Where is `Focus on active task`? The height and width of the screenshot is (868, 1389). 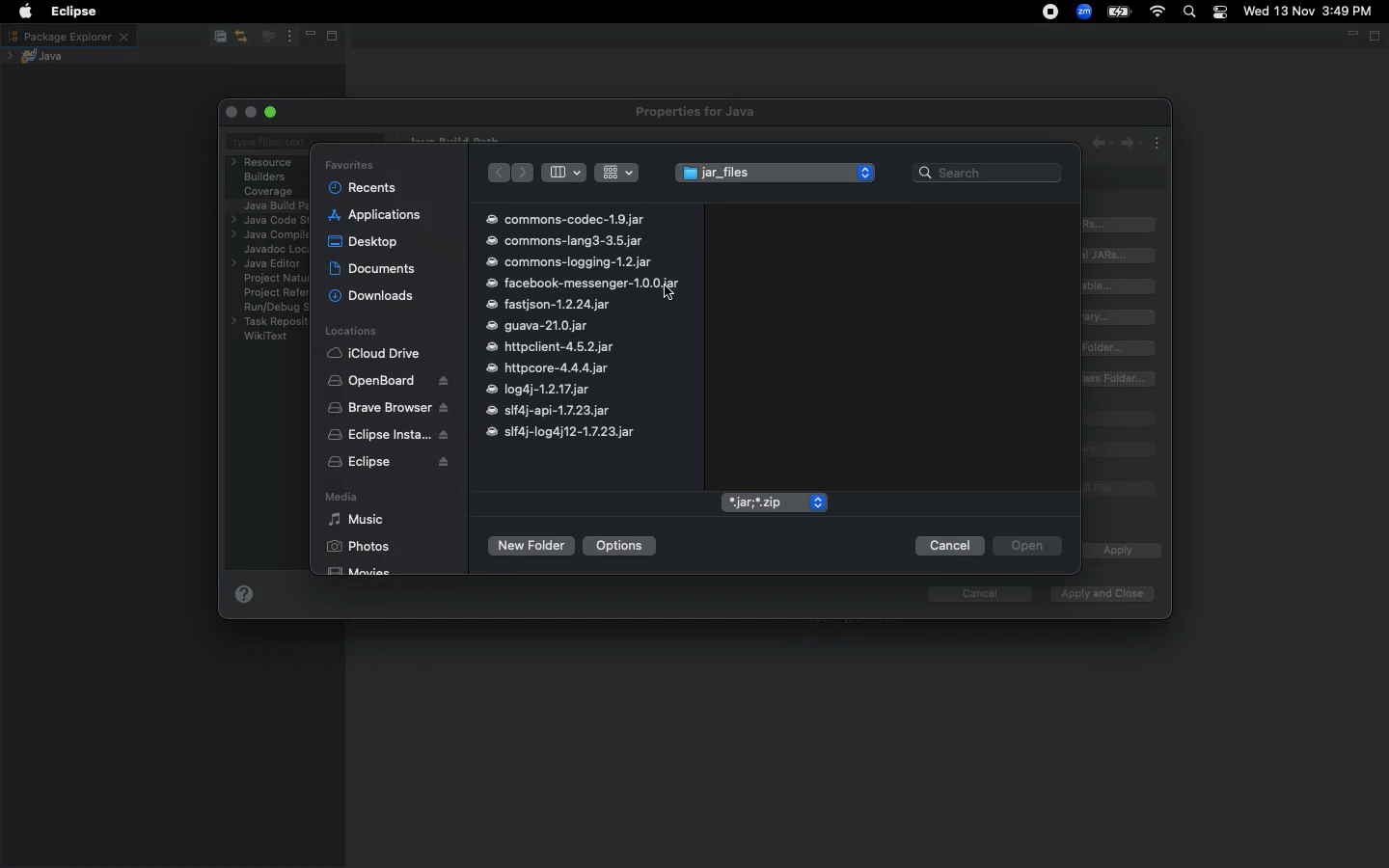 Focus on active task is located at coordinates (266, 38).